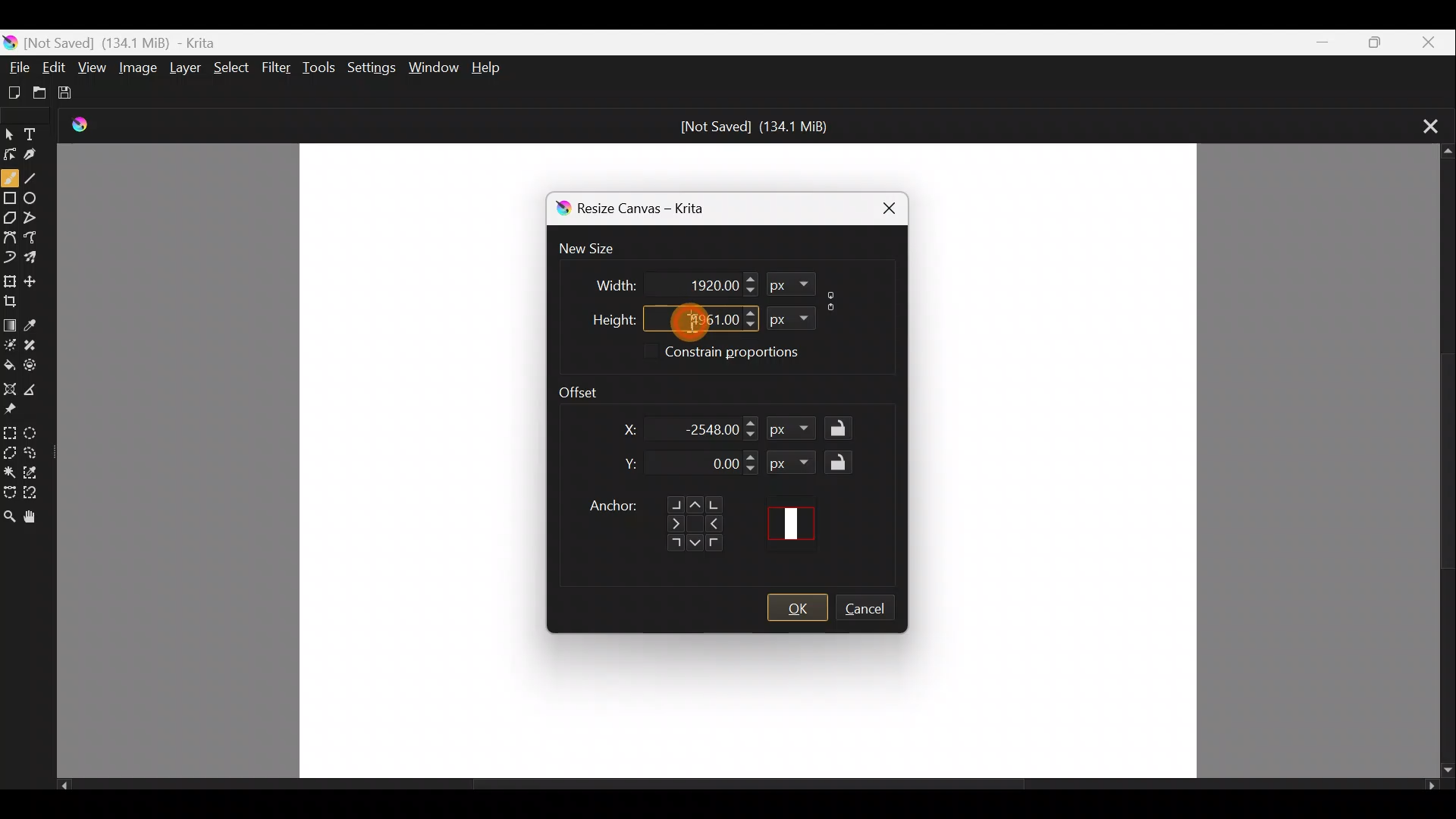  Describe the element at coordinates (93, 67) in the screenshot. I see `View` at that location.